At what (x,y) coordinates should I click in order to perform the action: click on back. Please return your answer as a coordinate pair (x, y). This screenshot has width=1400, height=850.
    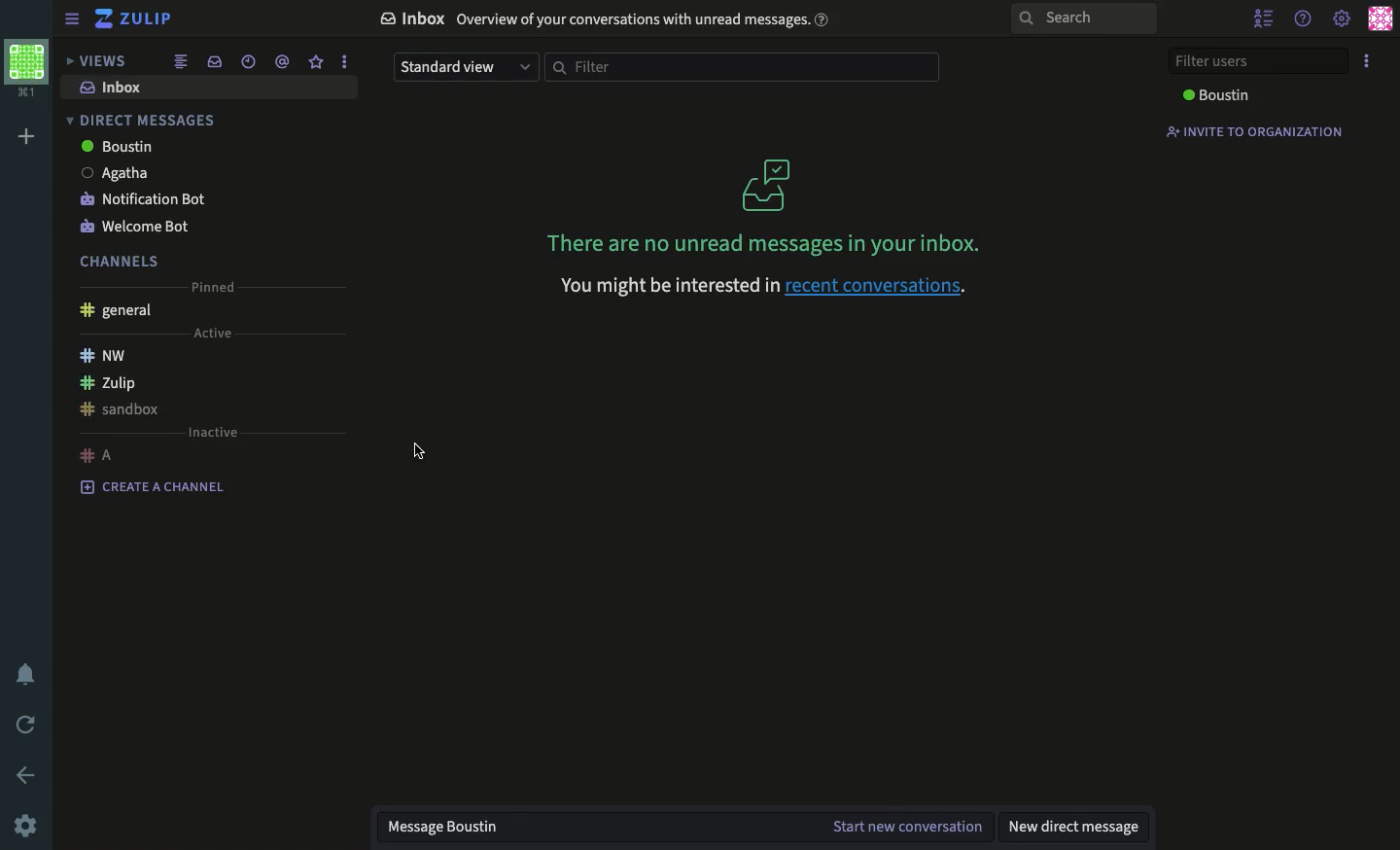
    Looking at the image, I should click on (26, 775).